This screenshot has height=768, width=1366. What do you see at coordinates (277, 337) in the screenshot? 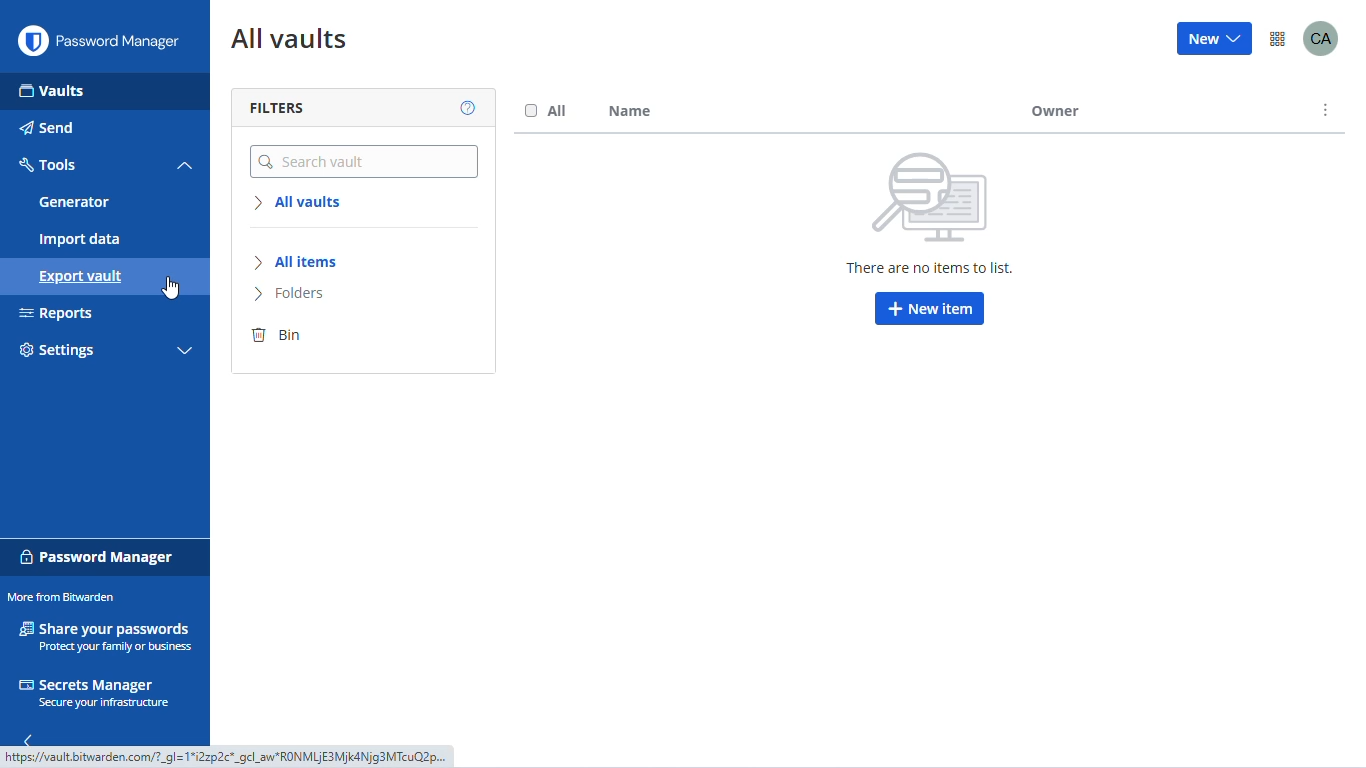
I see `bin` at bounding box center [277, 337].